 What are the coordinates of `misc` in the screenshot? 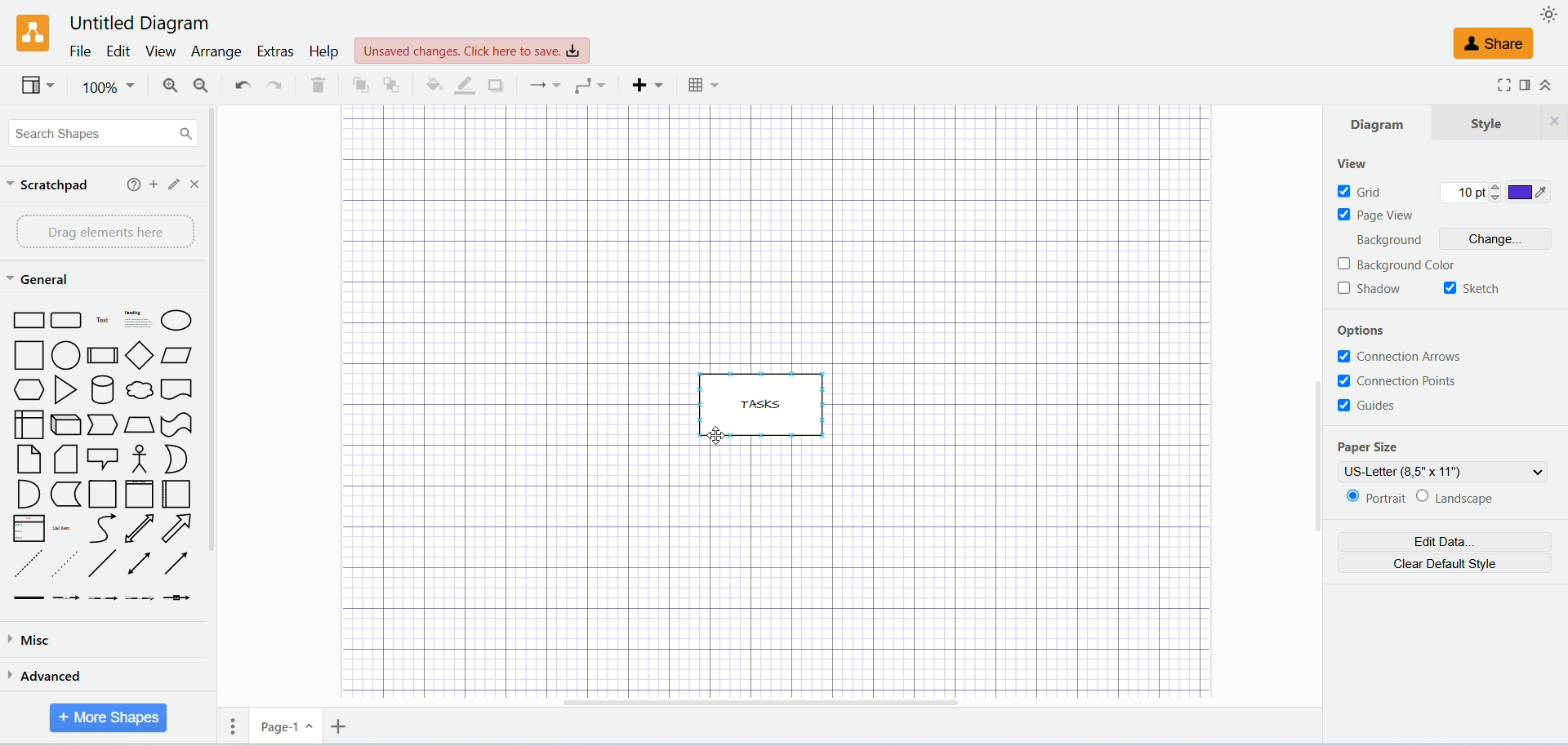 It's located at (87, 642).